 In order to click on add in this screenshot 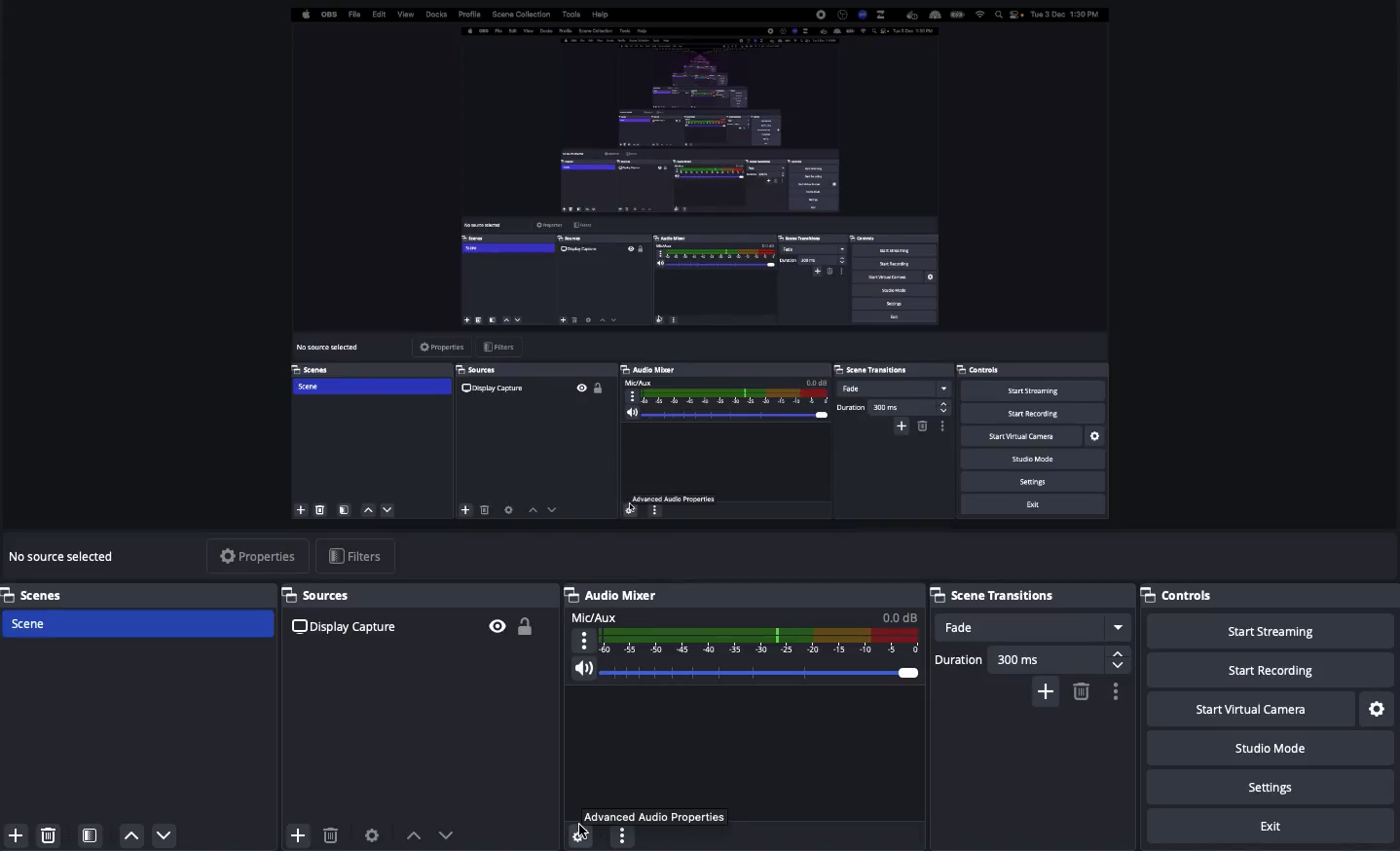, I will do `click(19, 834)`.